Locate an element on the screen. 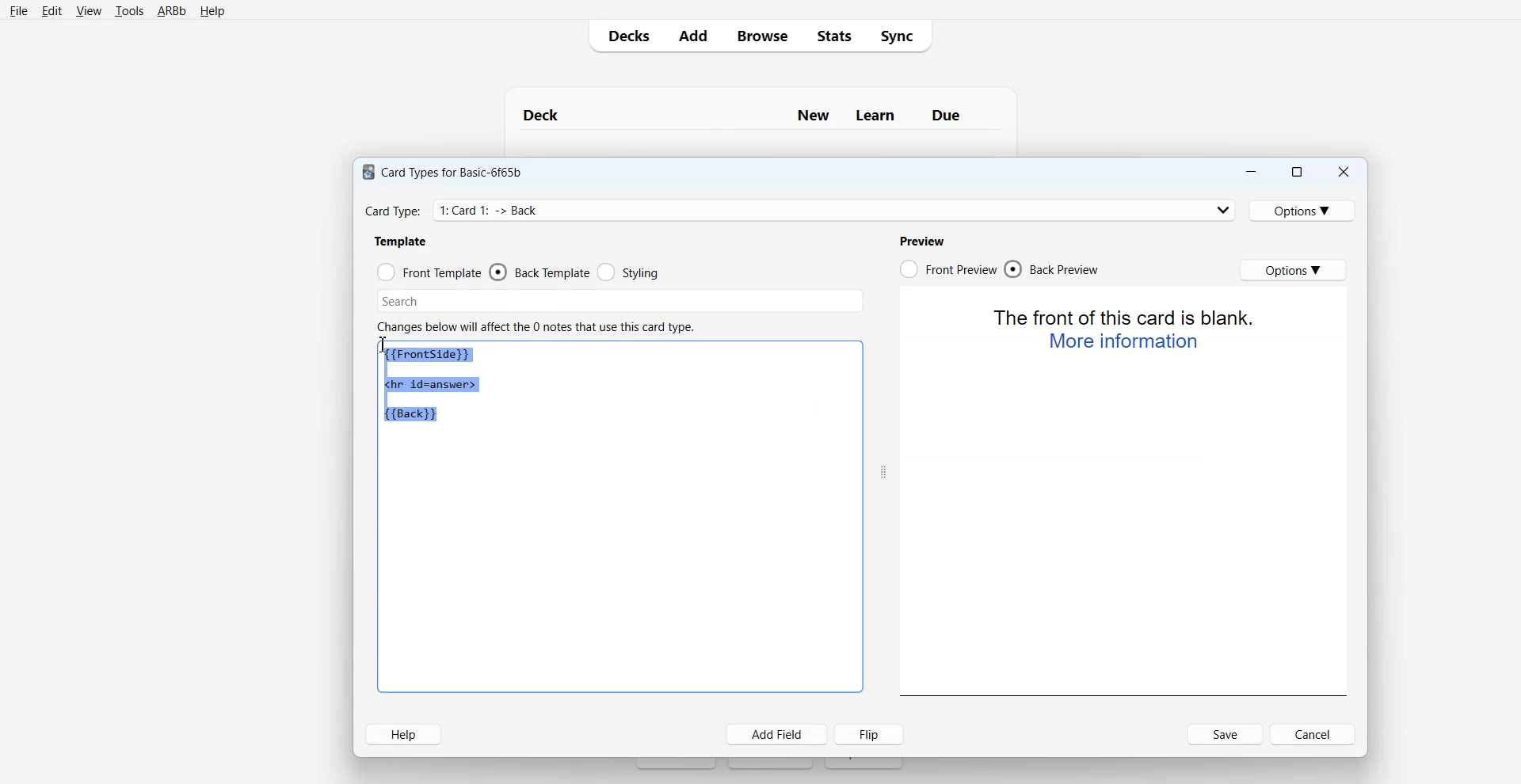 The width and height of the screenshot is (1521, 784). Tools is located at coordinates (129, 11).